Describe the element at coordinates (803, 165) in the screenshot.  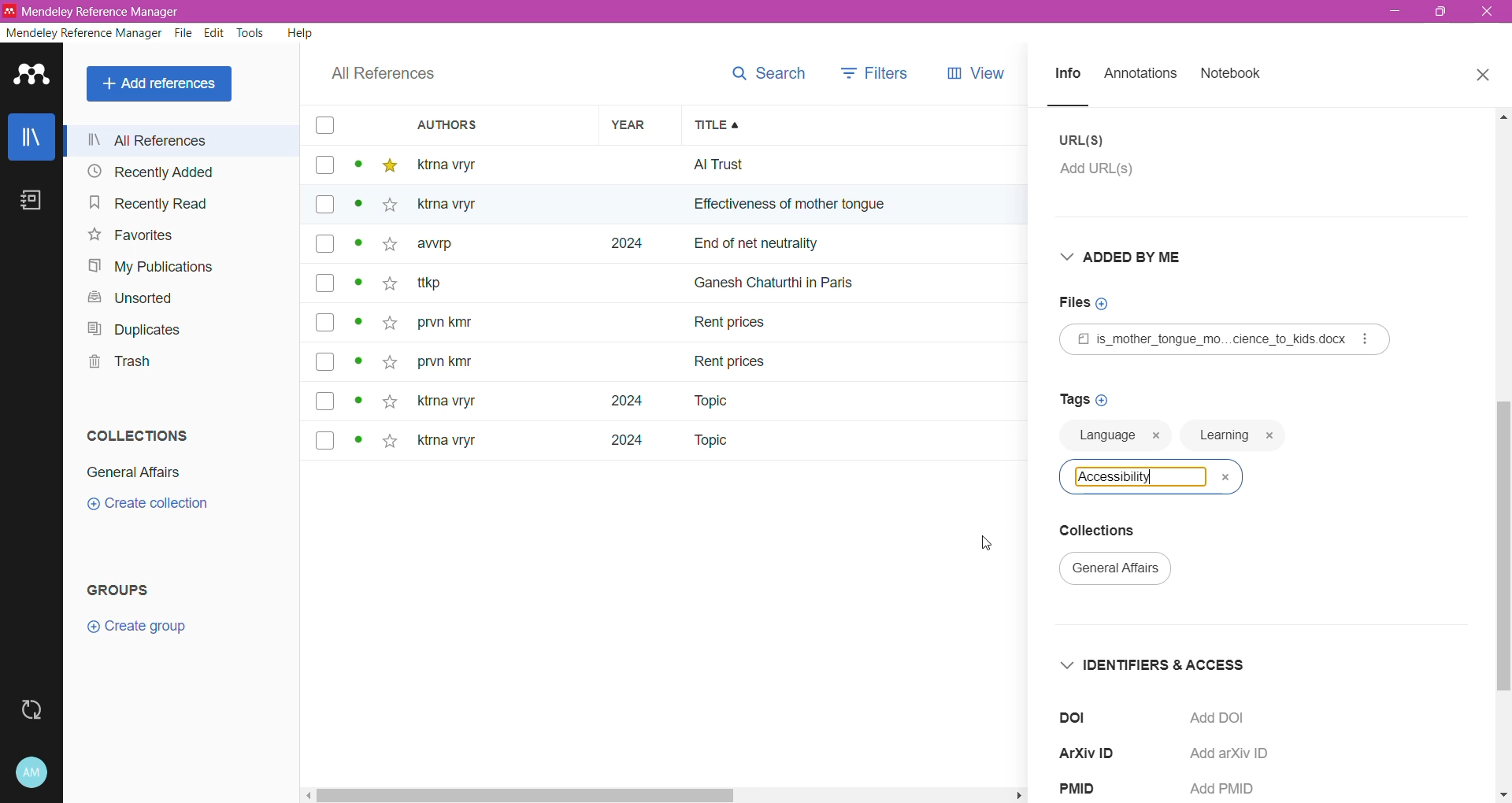
I see `all trust` at that location.